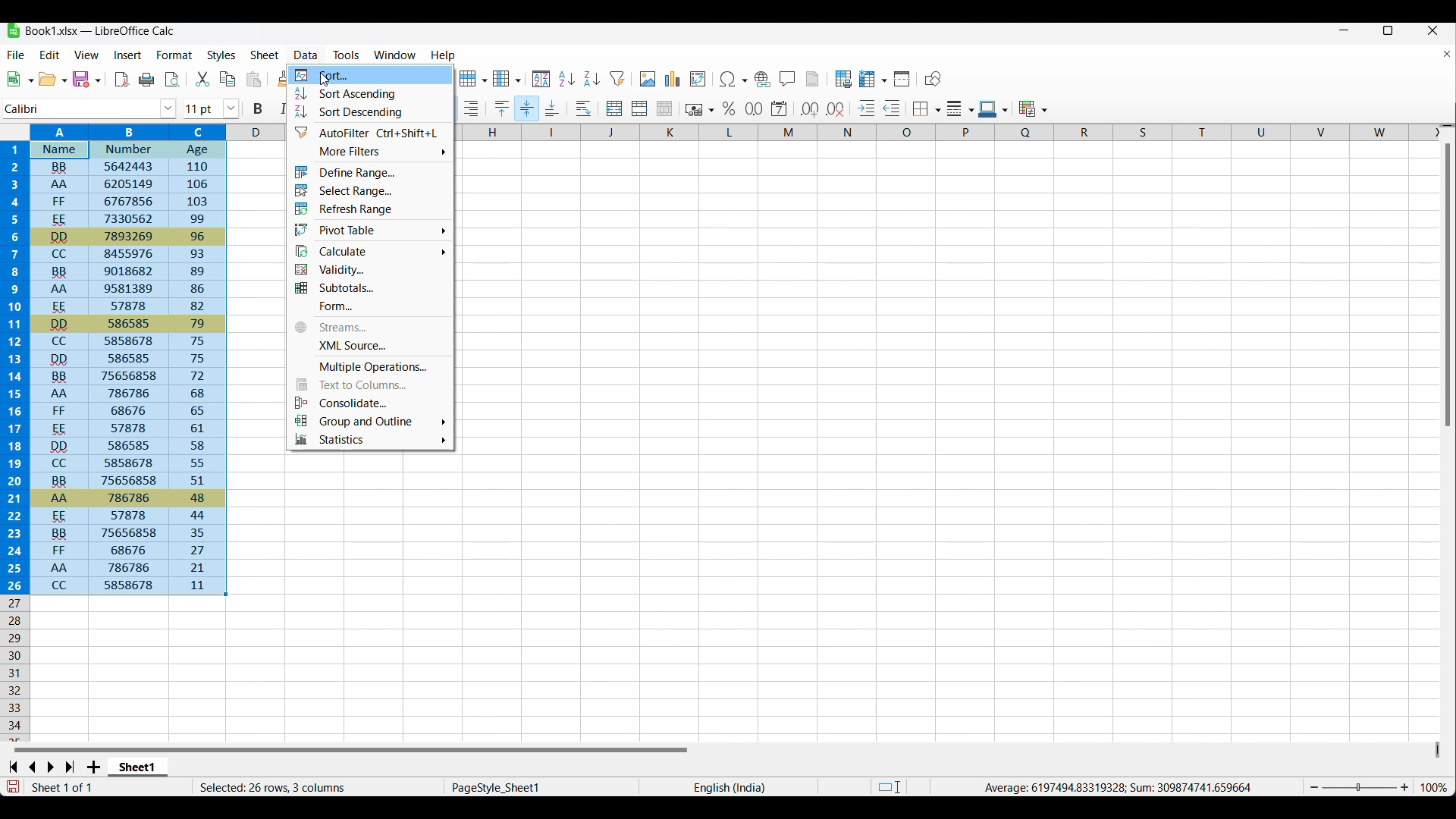 The height and width of the screenshot is (819, 1456). Describe the element at coordinates (202, 79) in the screenshot. I see `Cut` at that location.